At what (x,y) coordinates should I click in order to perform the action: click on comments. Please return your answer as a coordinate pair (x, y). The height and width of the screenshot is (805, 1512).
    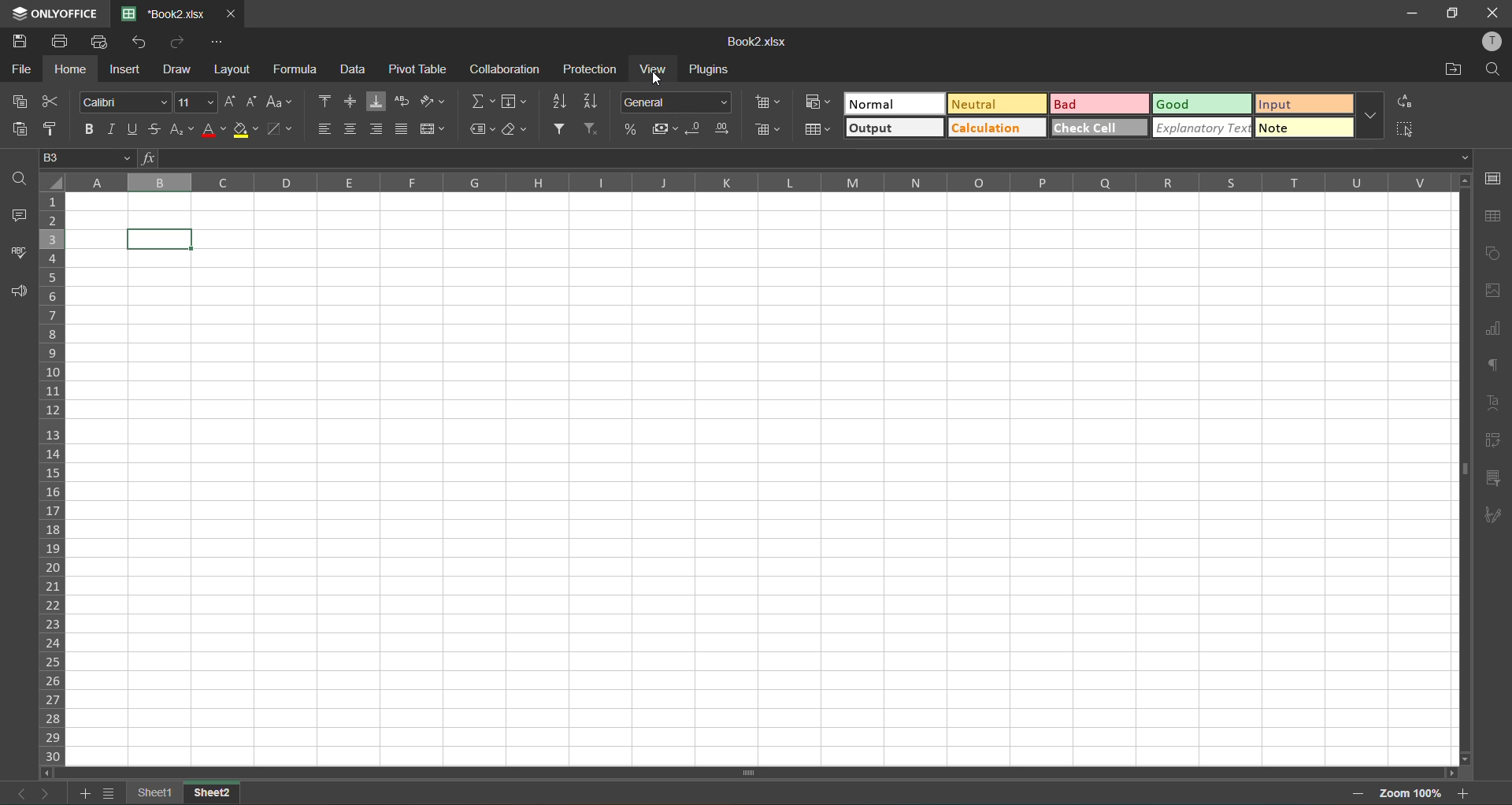
    Looking at the image, I should click on (23, 217).